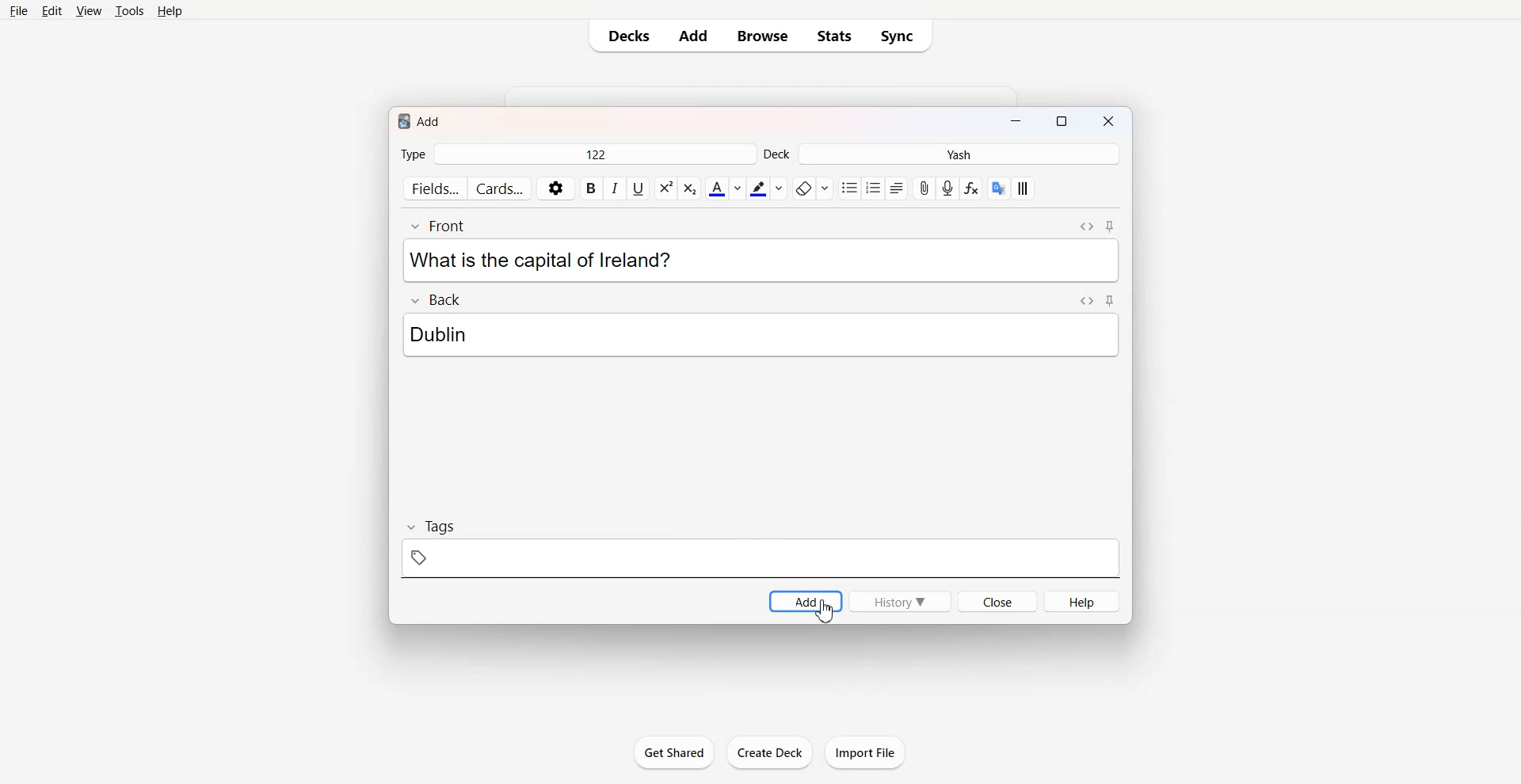  What do you see at coordinates (866, 752) in the screenshot?
I see `Import File` at bounding box center [866, 752].